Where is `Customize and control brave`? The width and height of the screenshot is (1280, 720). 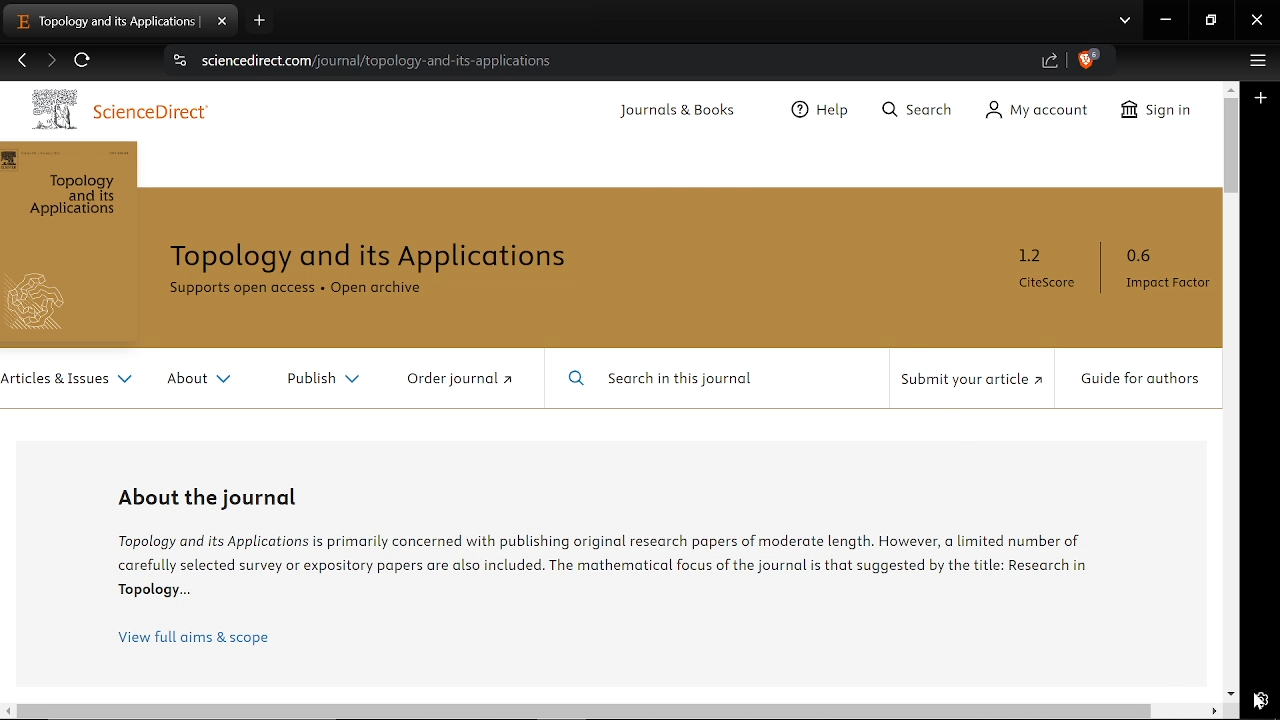 Customize and control brave is located at coordinates (1255, 63).